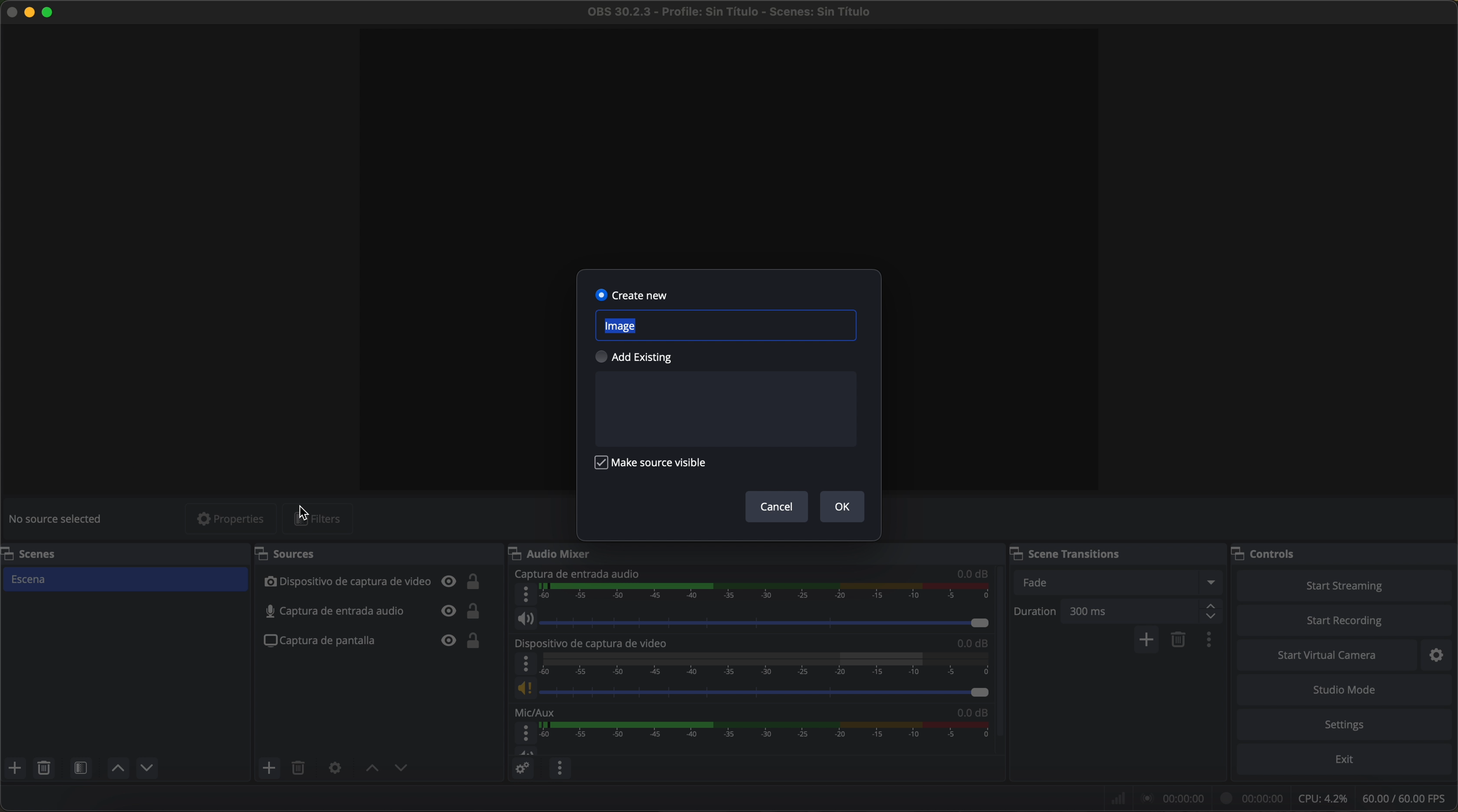 This screenshot has height=812, width=1458. What do you see at coordinates (371, 642) in the screenshot?
I see `screenshot` at bounding box center [371, 642].